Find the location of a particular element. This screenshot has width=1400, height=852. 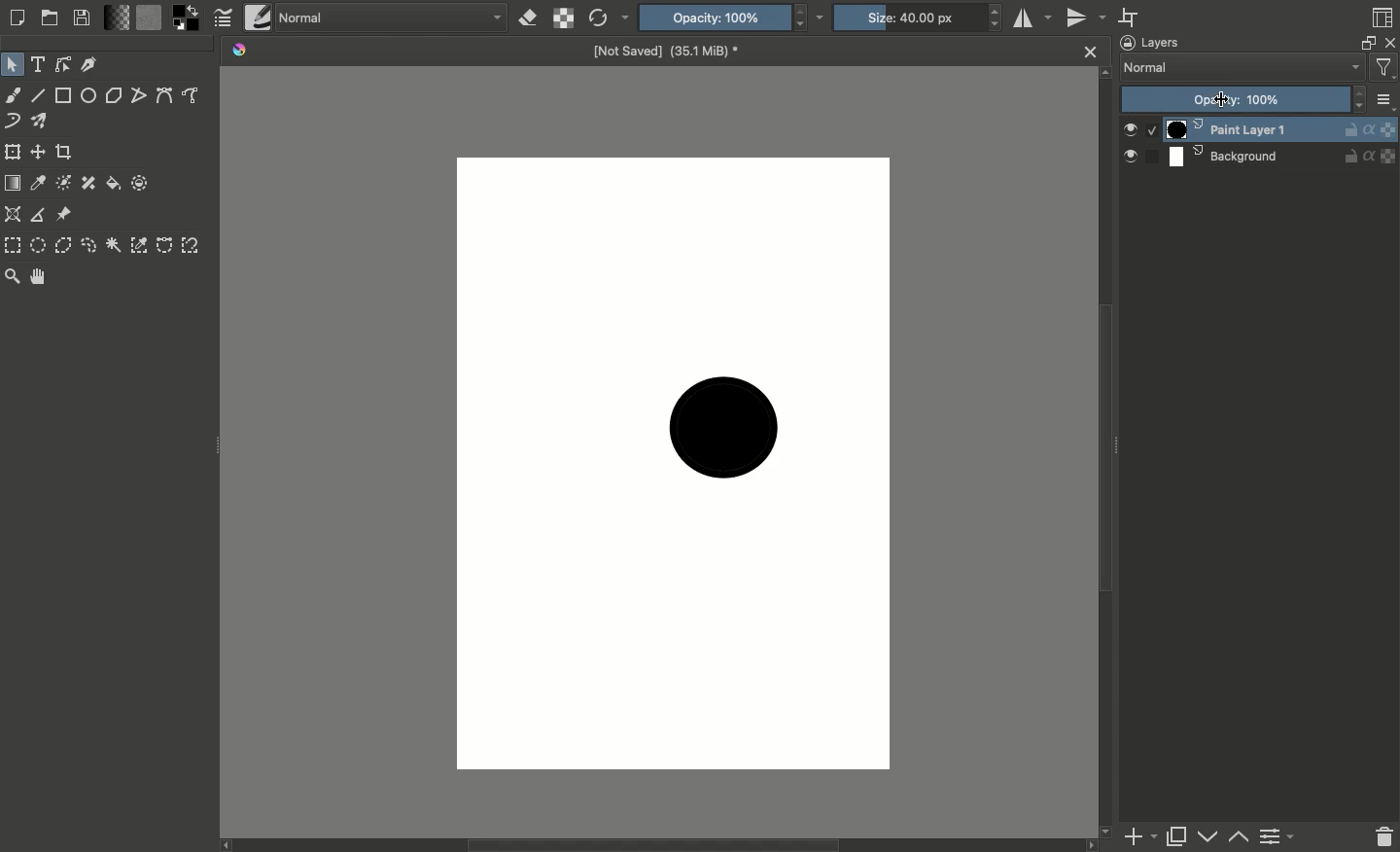

Add new layer is located at coordinates (1141, 837).